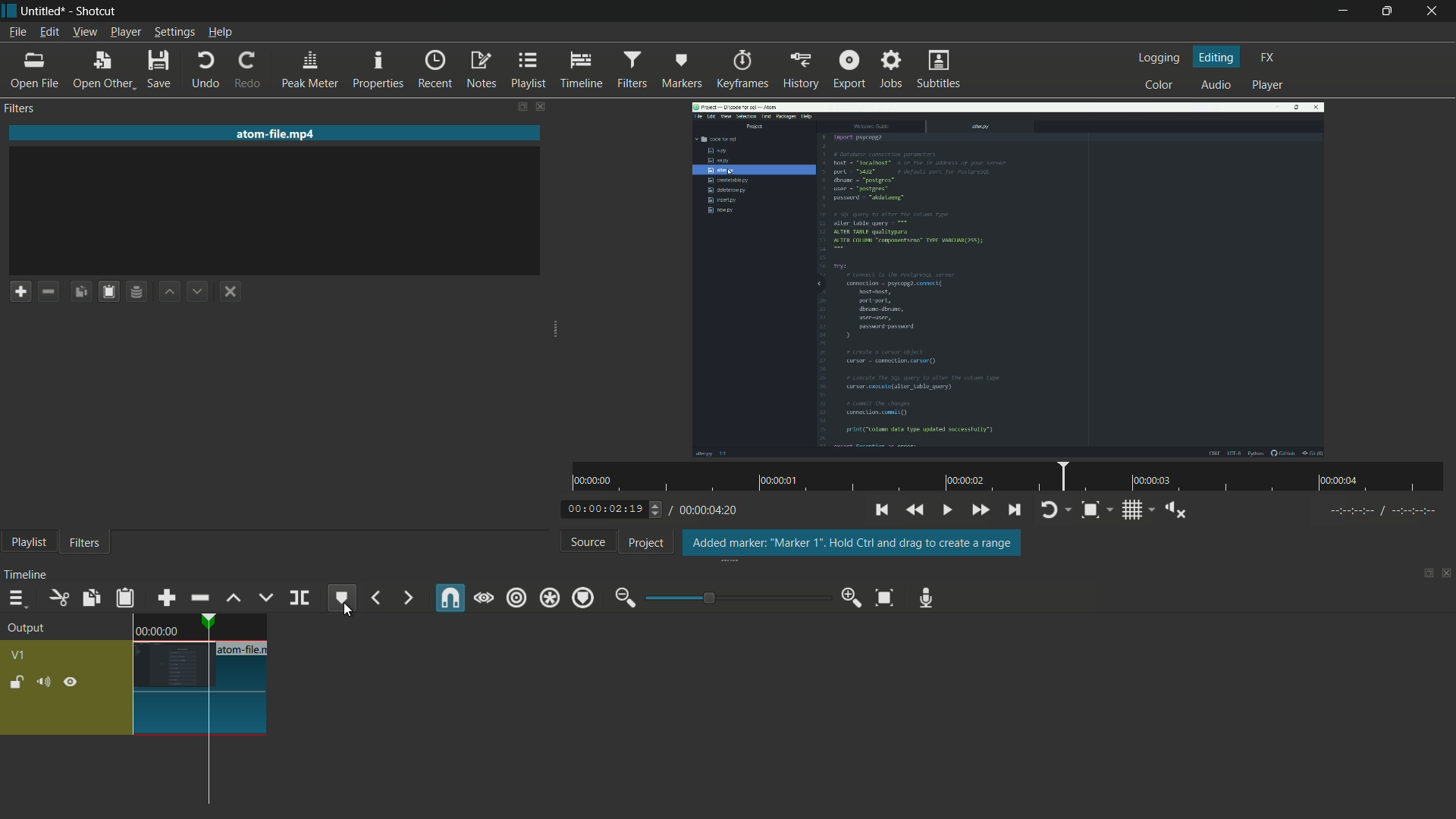  I want to click on ripple, so click(516, 599).